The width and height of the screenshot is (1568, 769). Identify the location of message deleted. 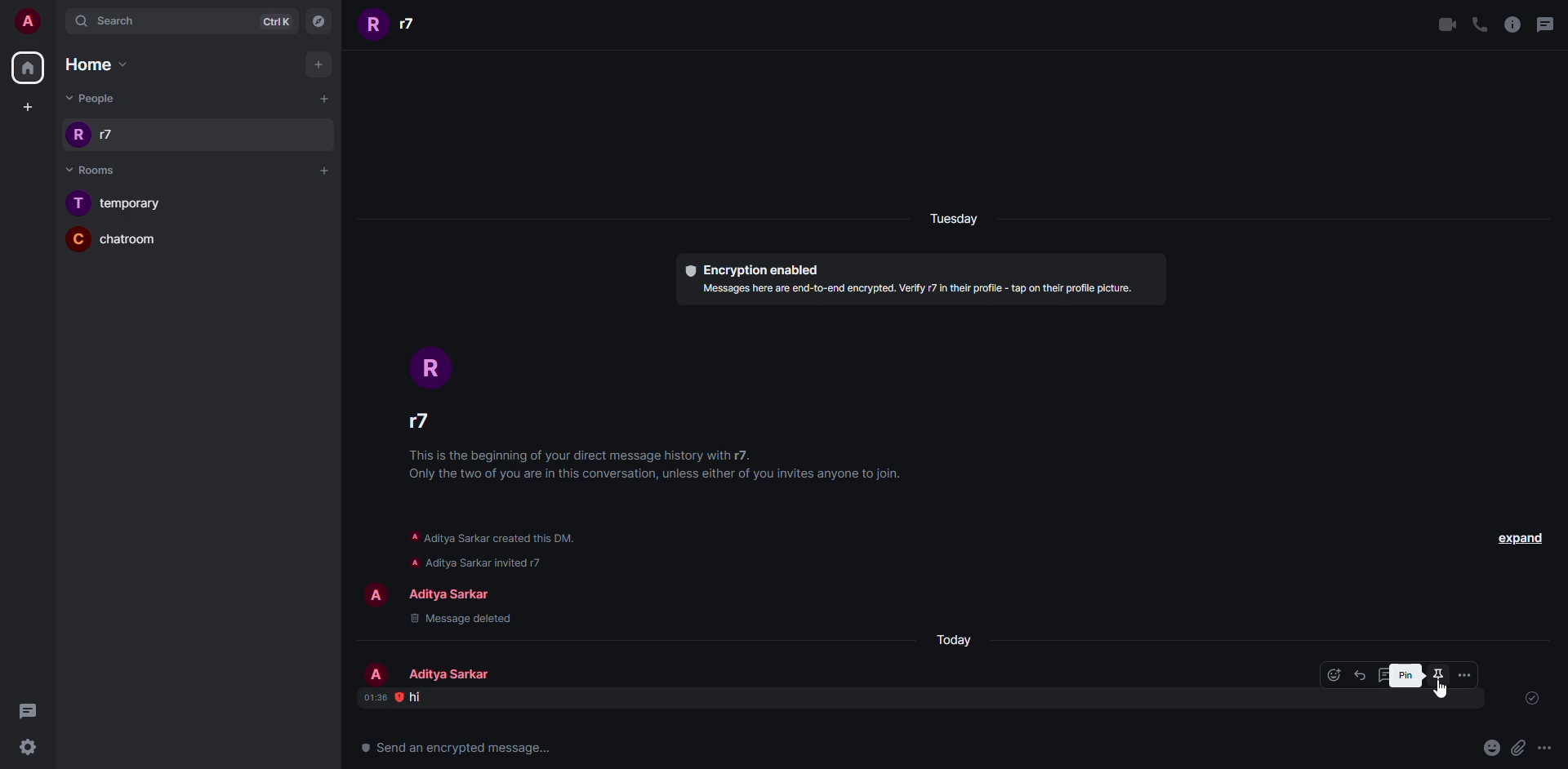
(466, 617).